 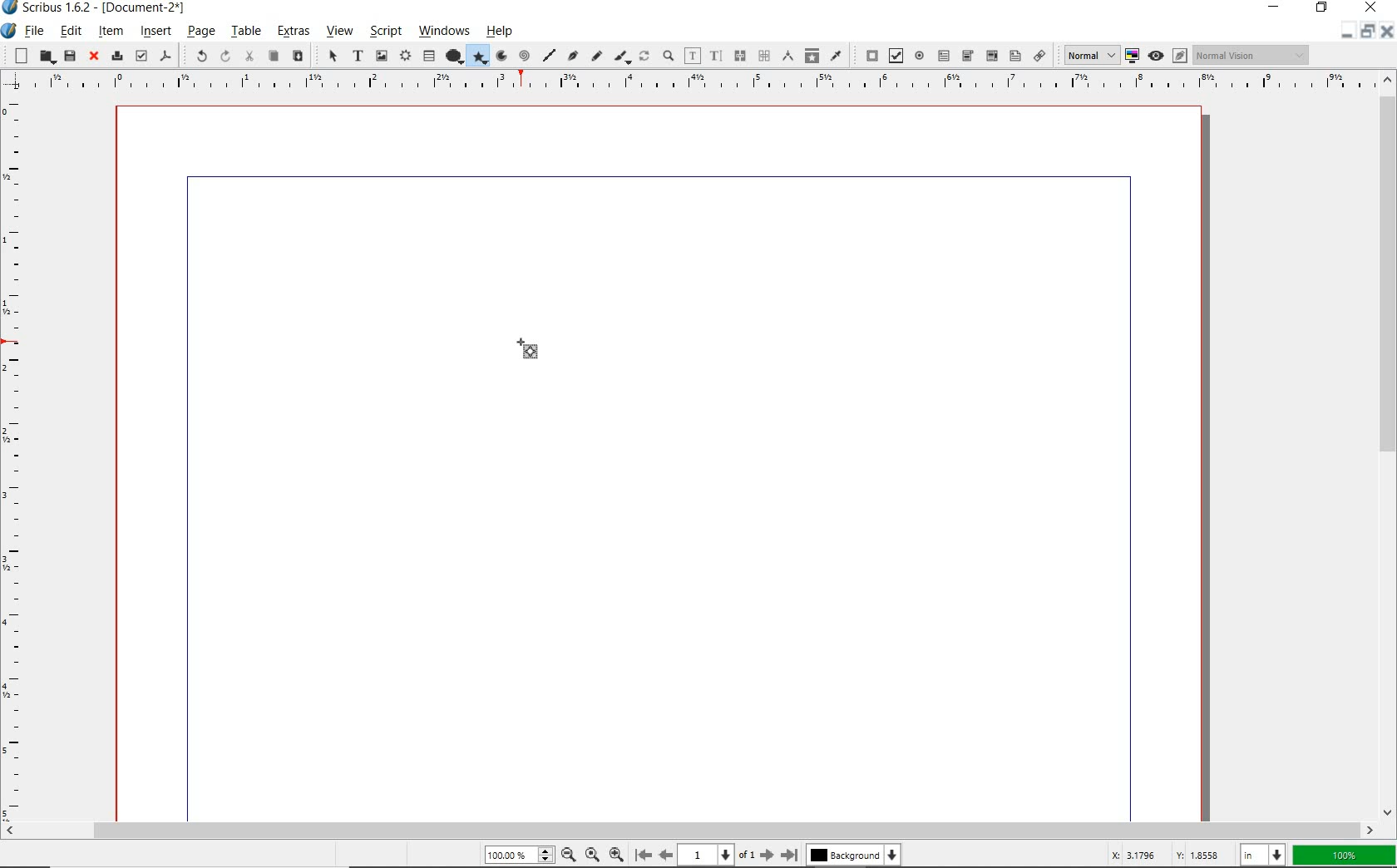 I want to click on pdf text field, so click(x=945, y=55).